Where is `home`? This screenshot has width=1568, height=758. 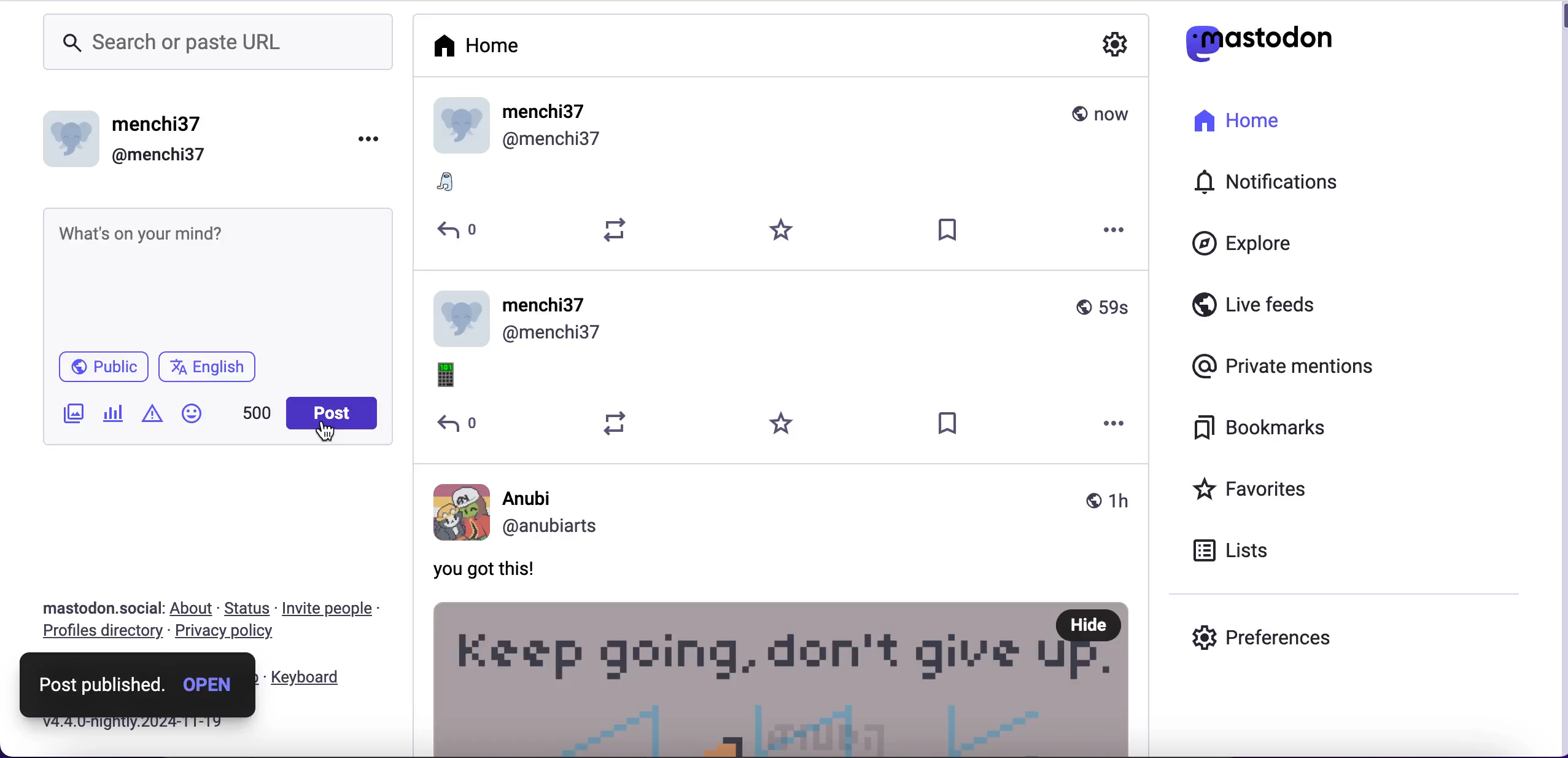 home is located at coordinates (475, 46).